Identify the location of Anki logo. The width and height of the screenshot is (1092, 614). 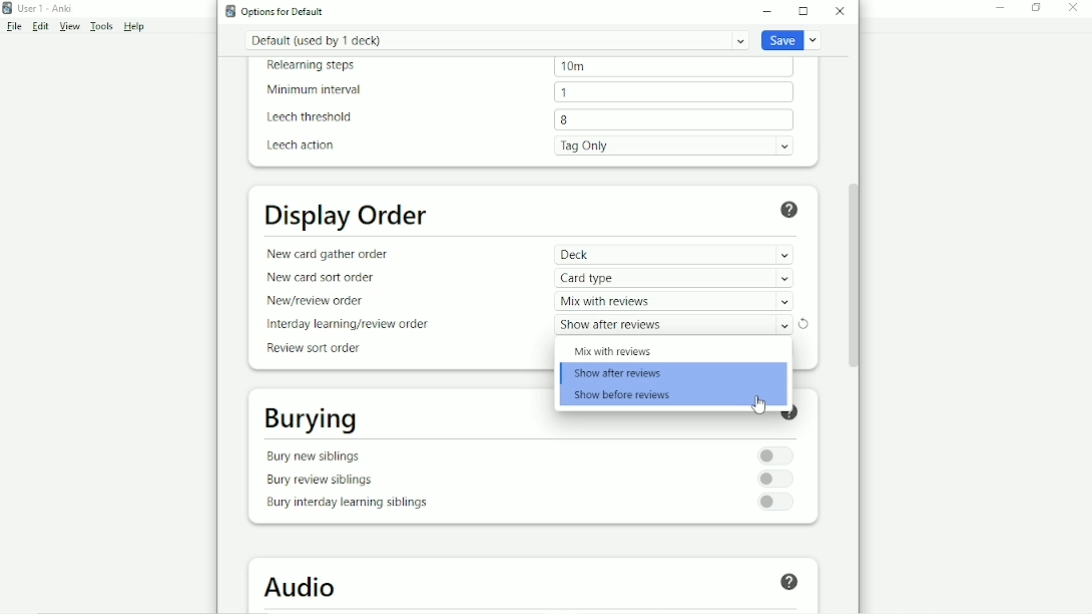
(230, 11).